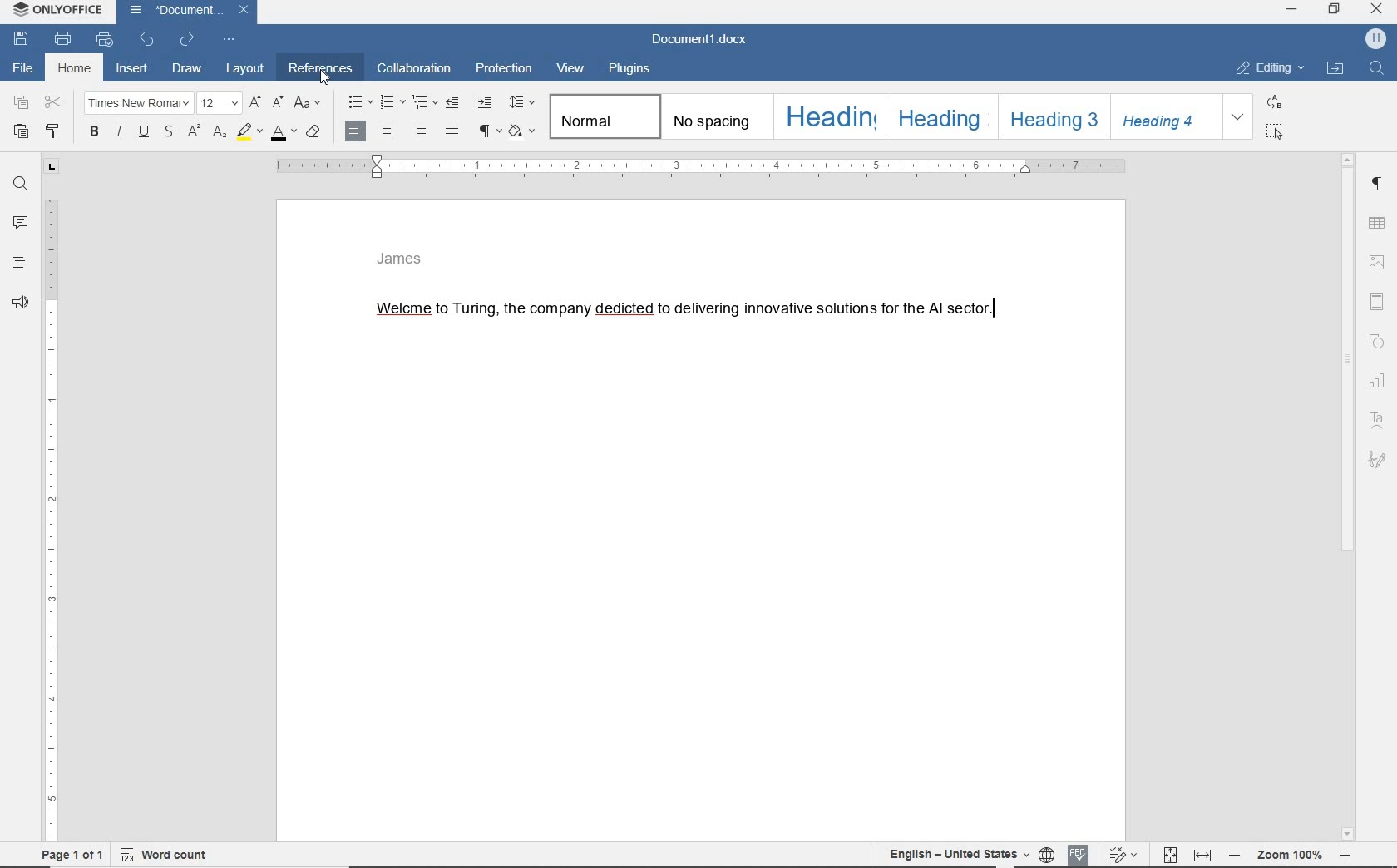  What do you see at coordinates (1164, 119) in the screenshot?
I see `Heading 4` at bounding box center [1164, 119].